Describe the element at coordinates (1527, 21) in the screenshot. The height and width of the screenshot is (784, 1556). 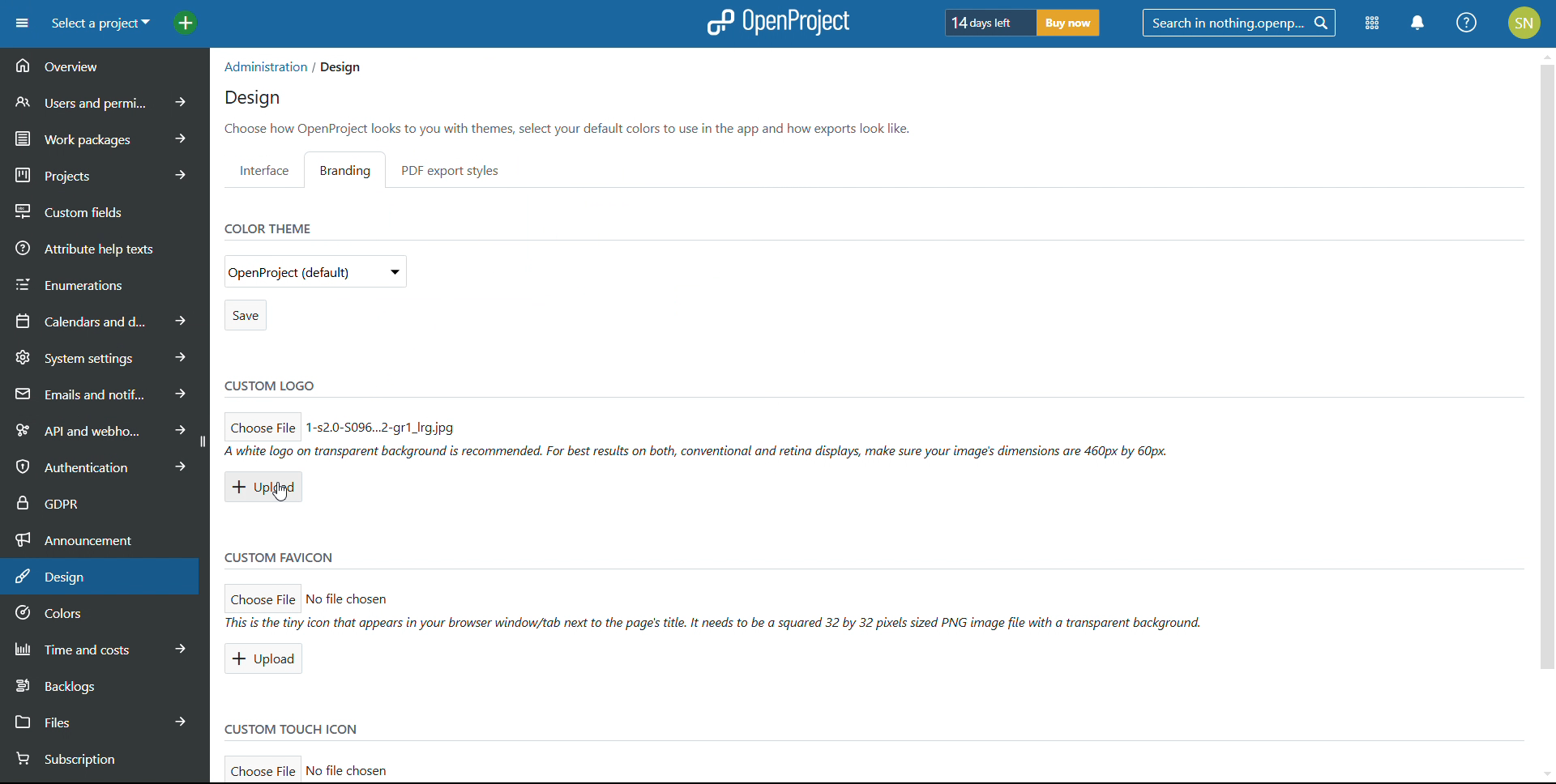
I see `SN` at that location.